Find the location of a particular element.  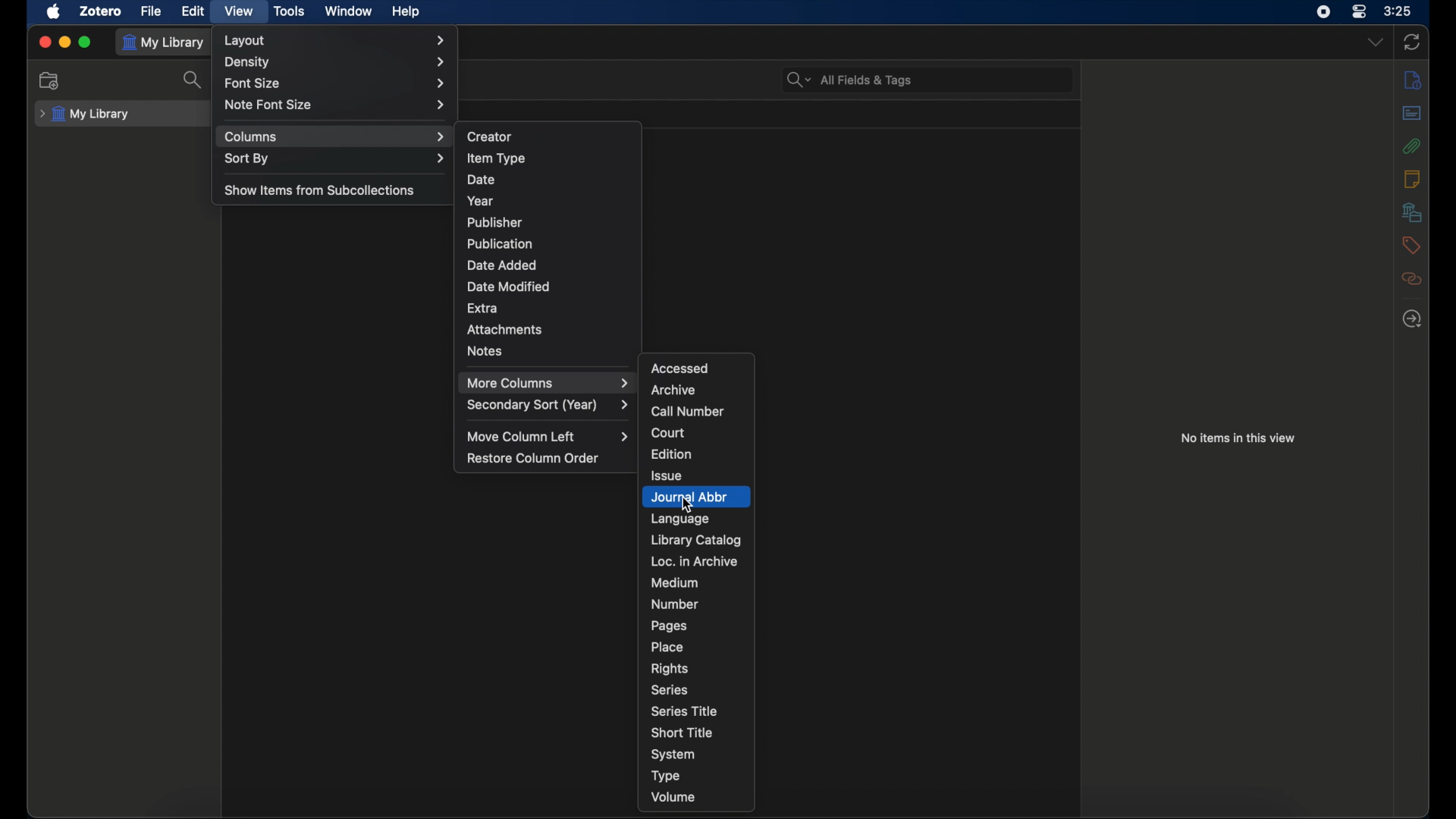

series is located at coordinates (669, 689).